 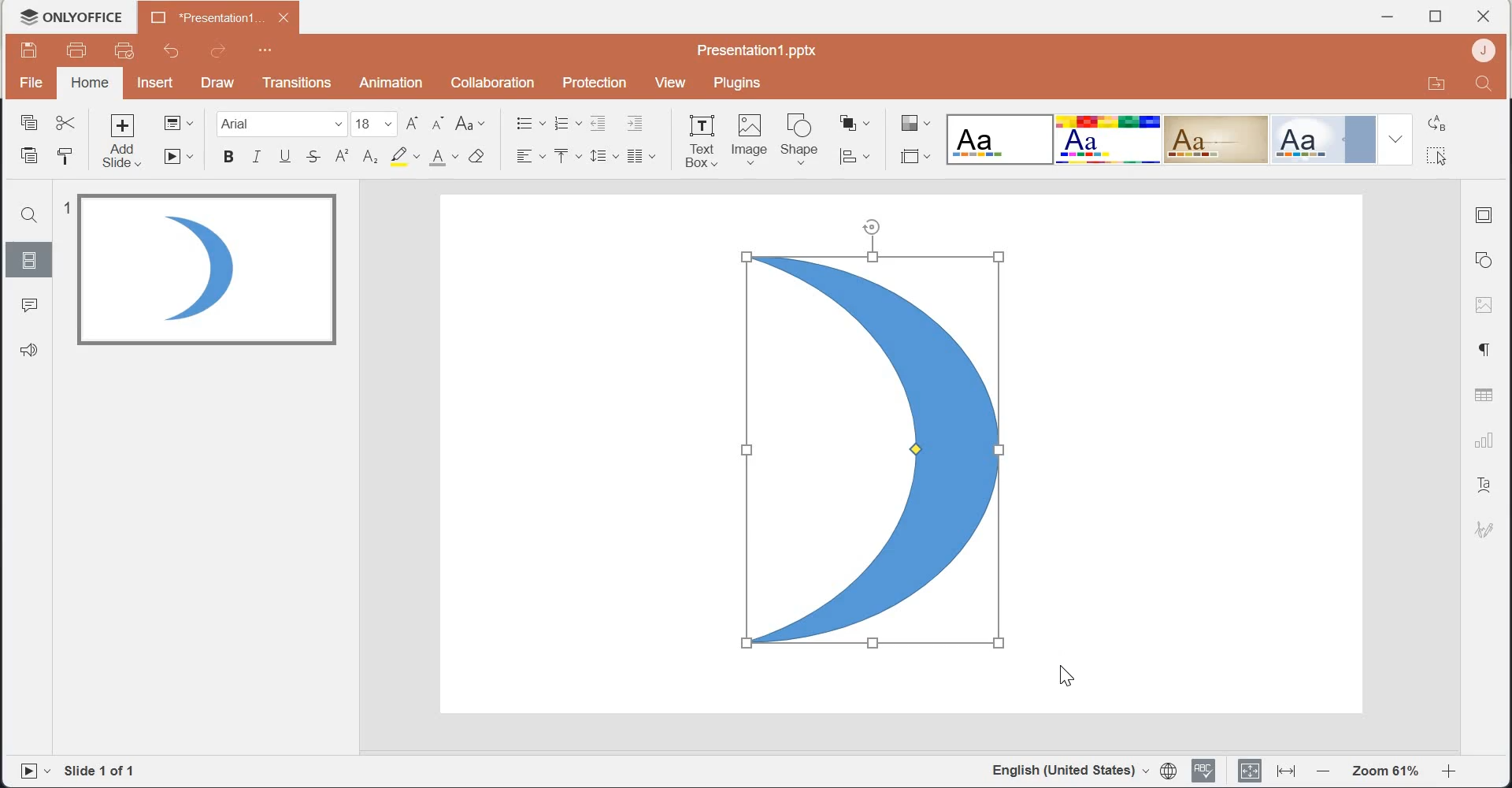 What do you see at coordinates (406, 156) in the screenshot?
I see `Highlight color` at bounding box center [406, 156].